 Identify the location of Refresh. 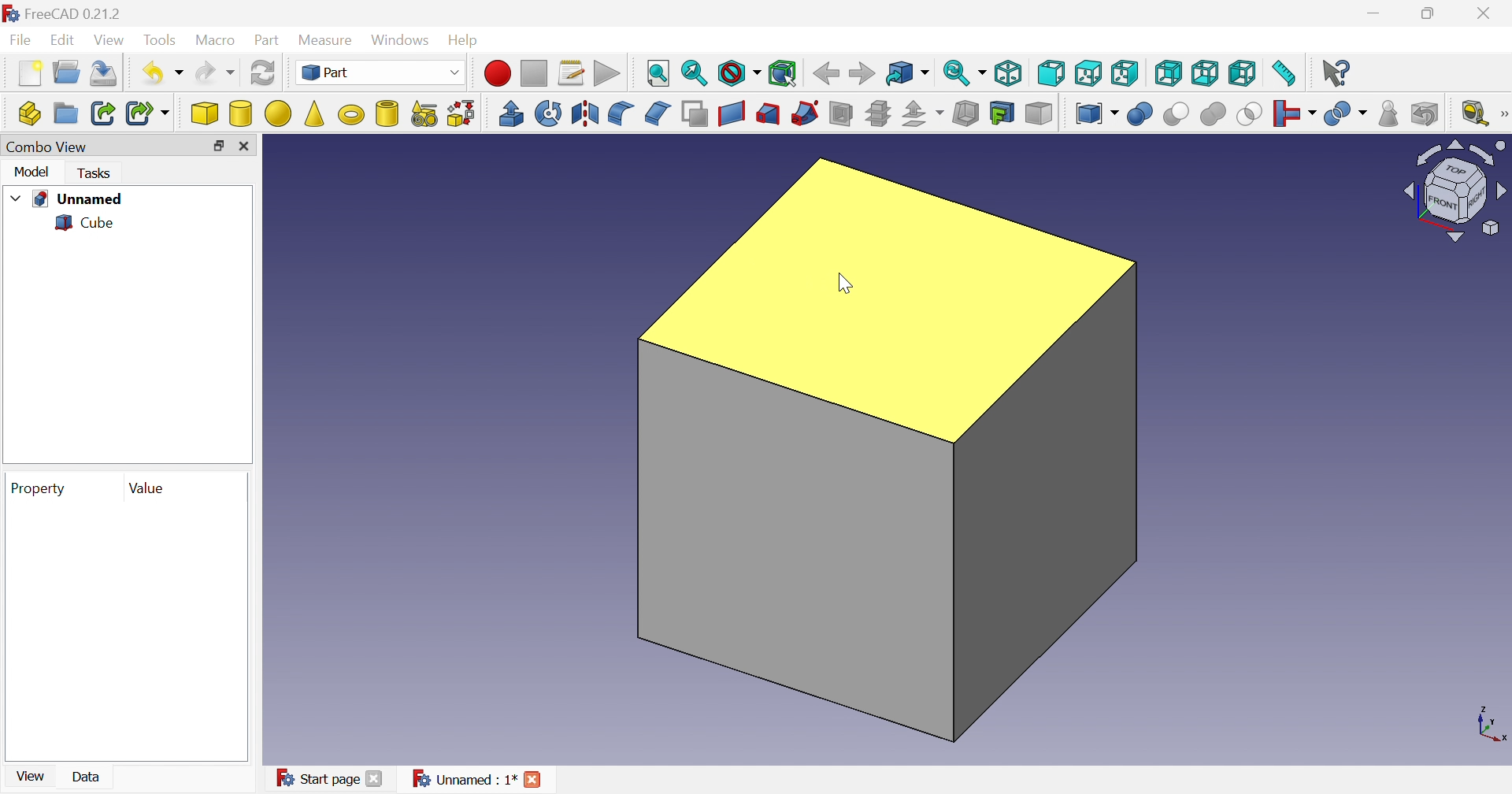
(263, 72).